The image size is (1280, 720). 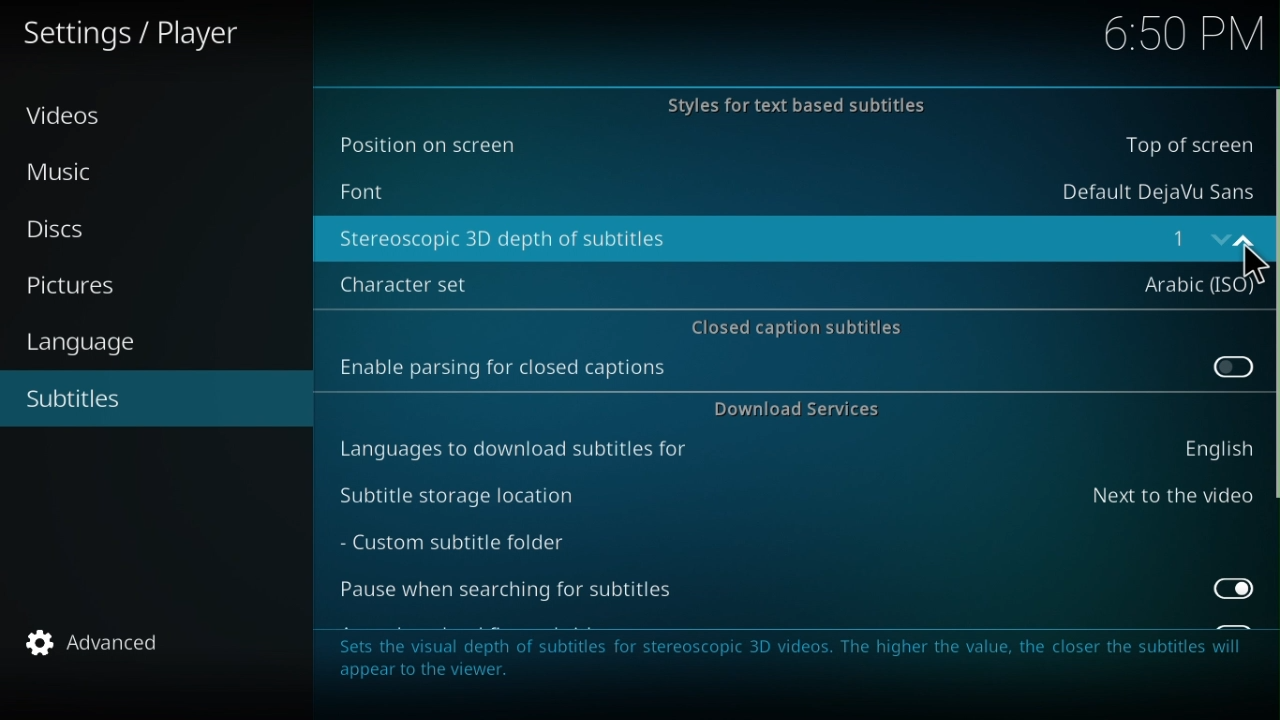 What do you see at coordinates (479, 545) in the screenshot?
I see `Custom subtitle folder` at bounding box center [479, 545].